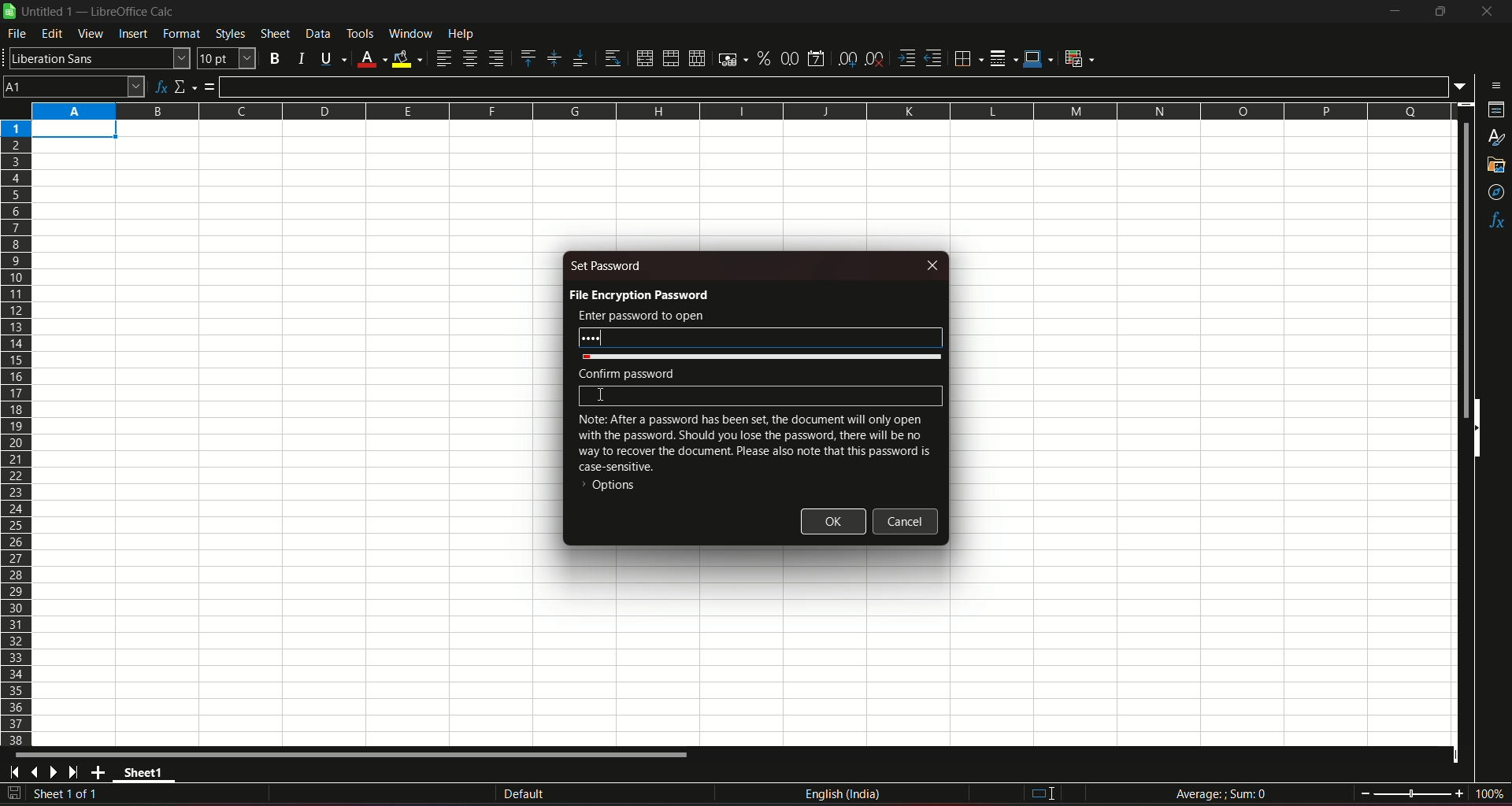 The width and height of the screenshot is (1512, 806). I want to click on zoom in, so click(1458, 793).